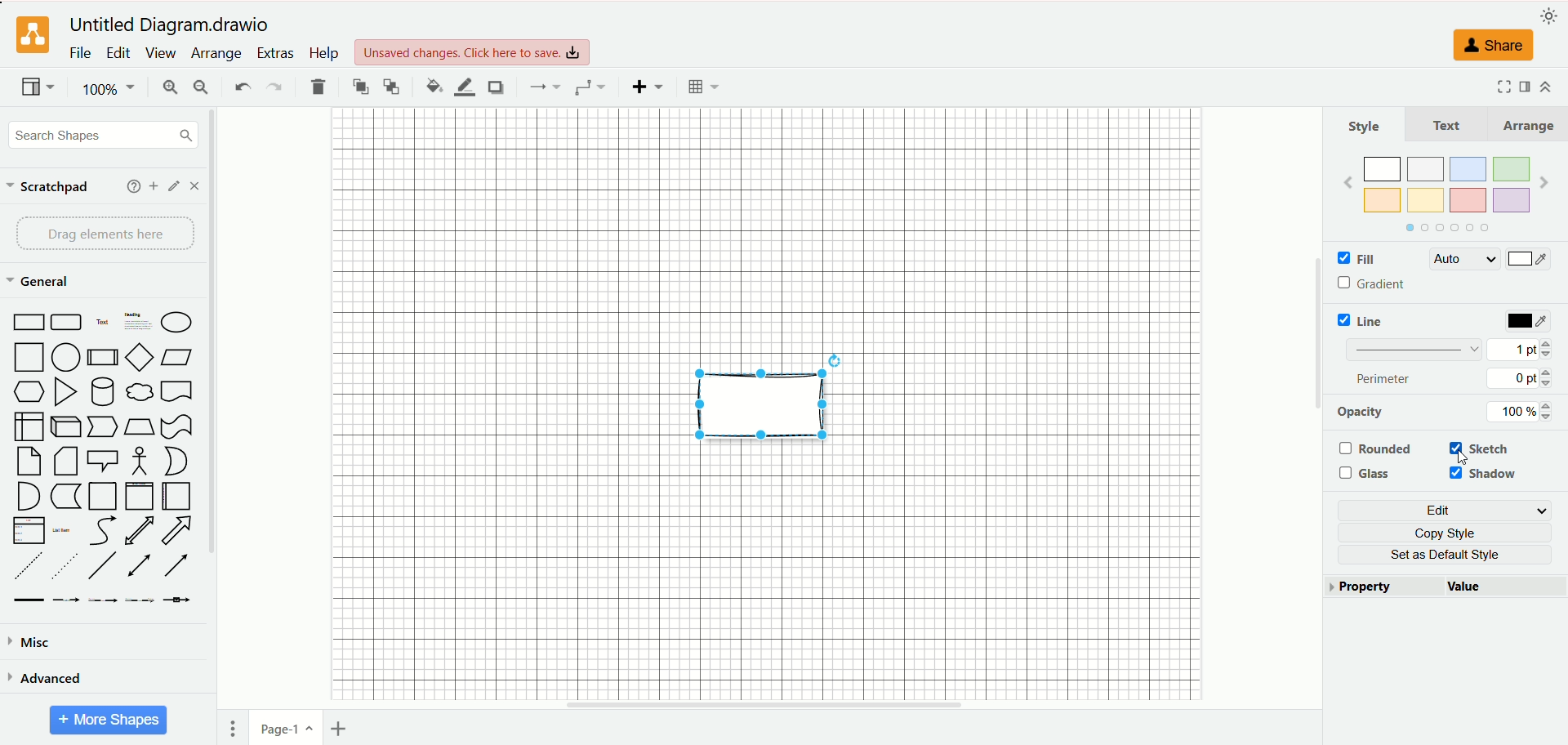  Describe the element at coordinates (648, 87) in the screenshot. I see `insert` at that location.